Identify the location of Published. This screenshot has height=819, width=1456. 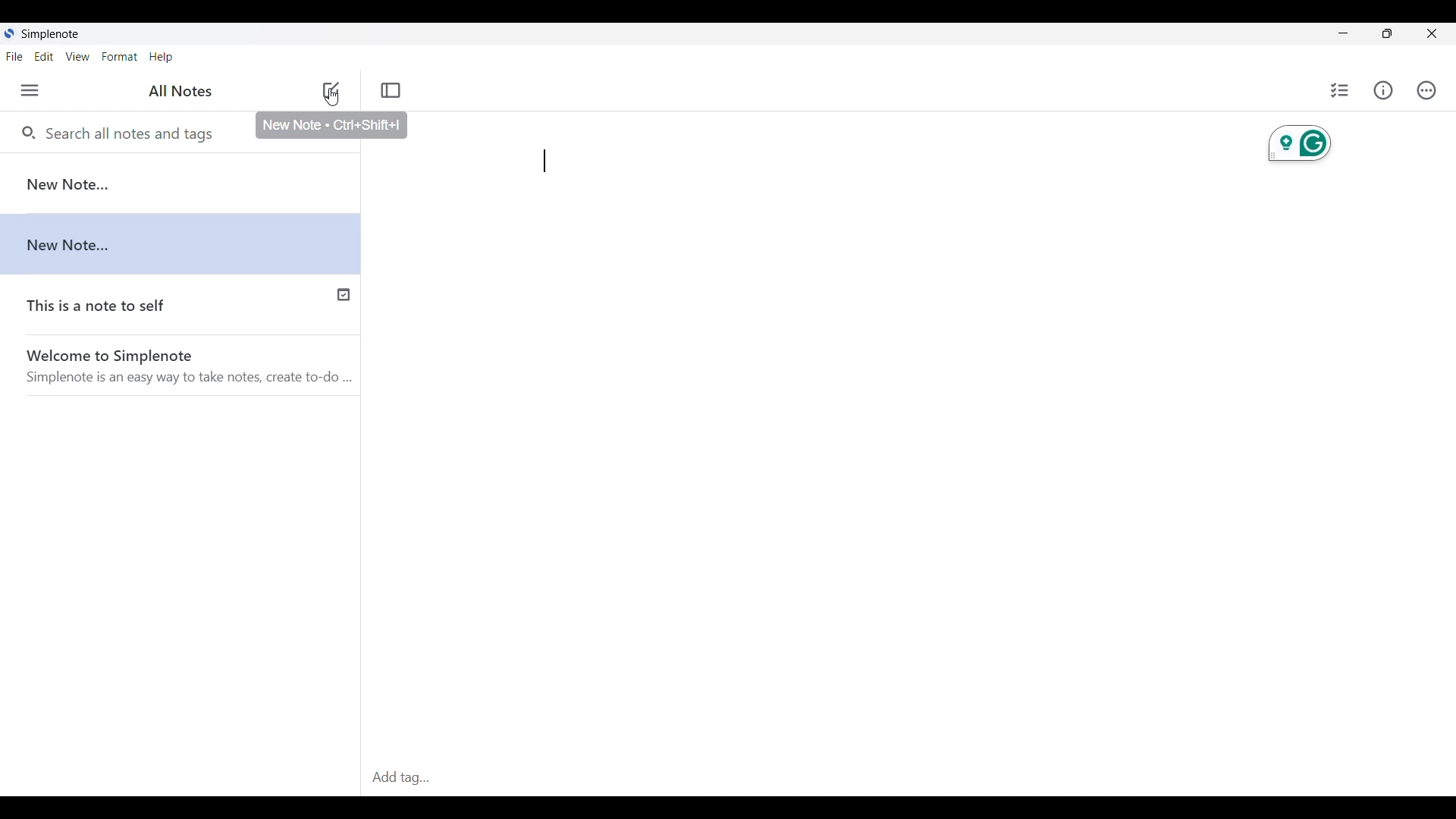
(343, 293).